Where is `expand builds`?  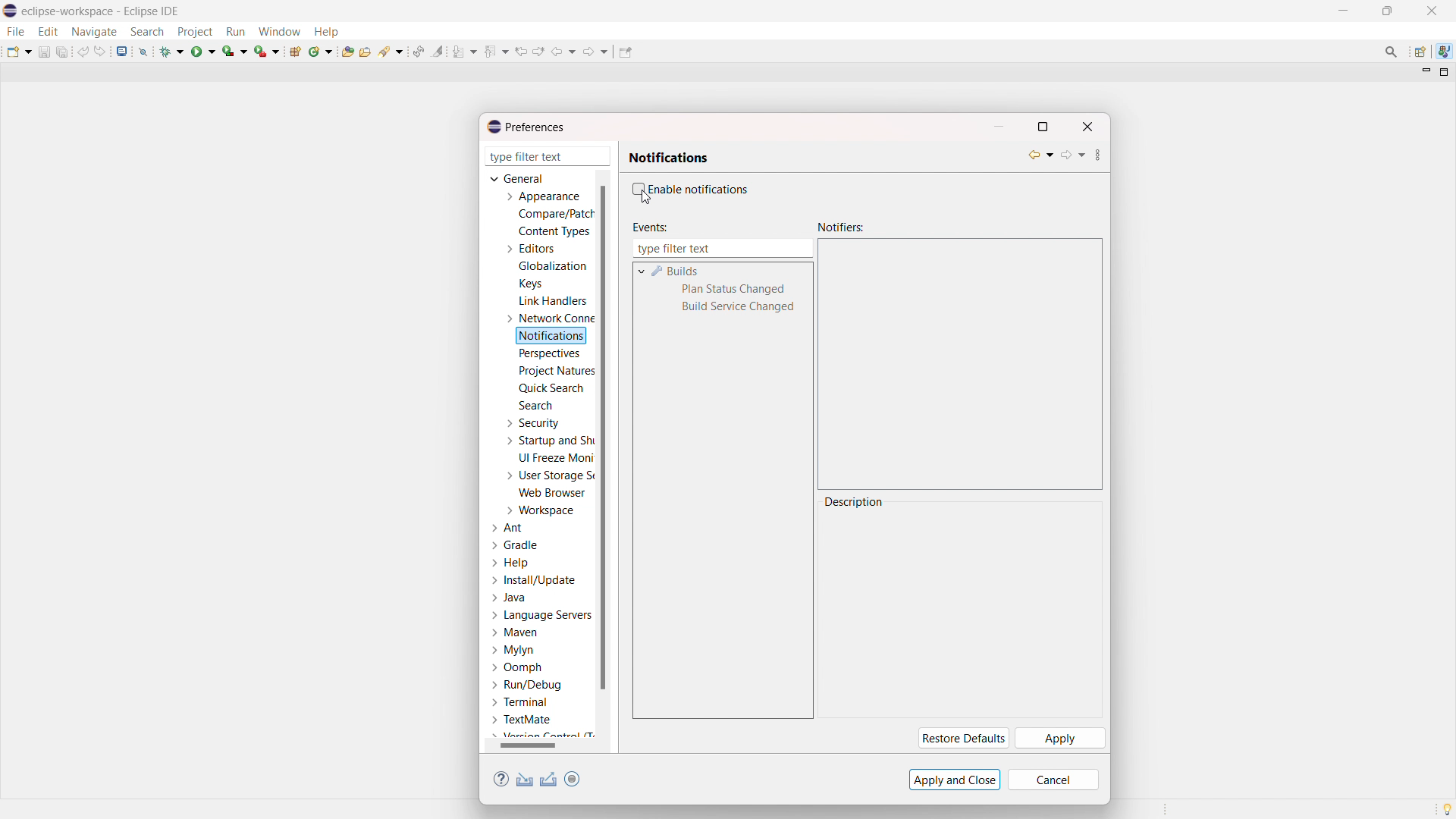
expand builds is located at coordinates (641, 270).